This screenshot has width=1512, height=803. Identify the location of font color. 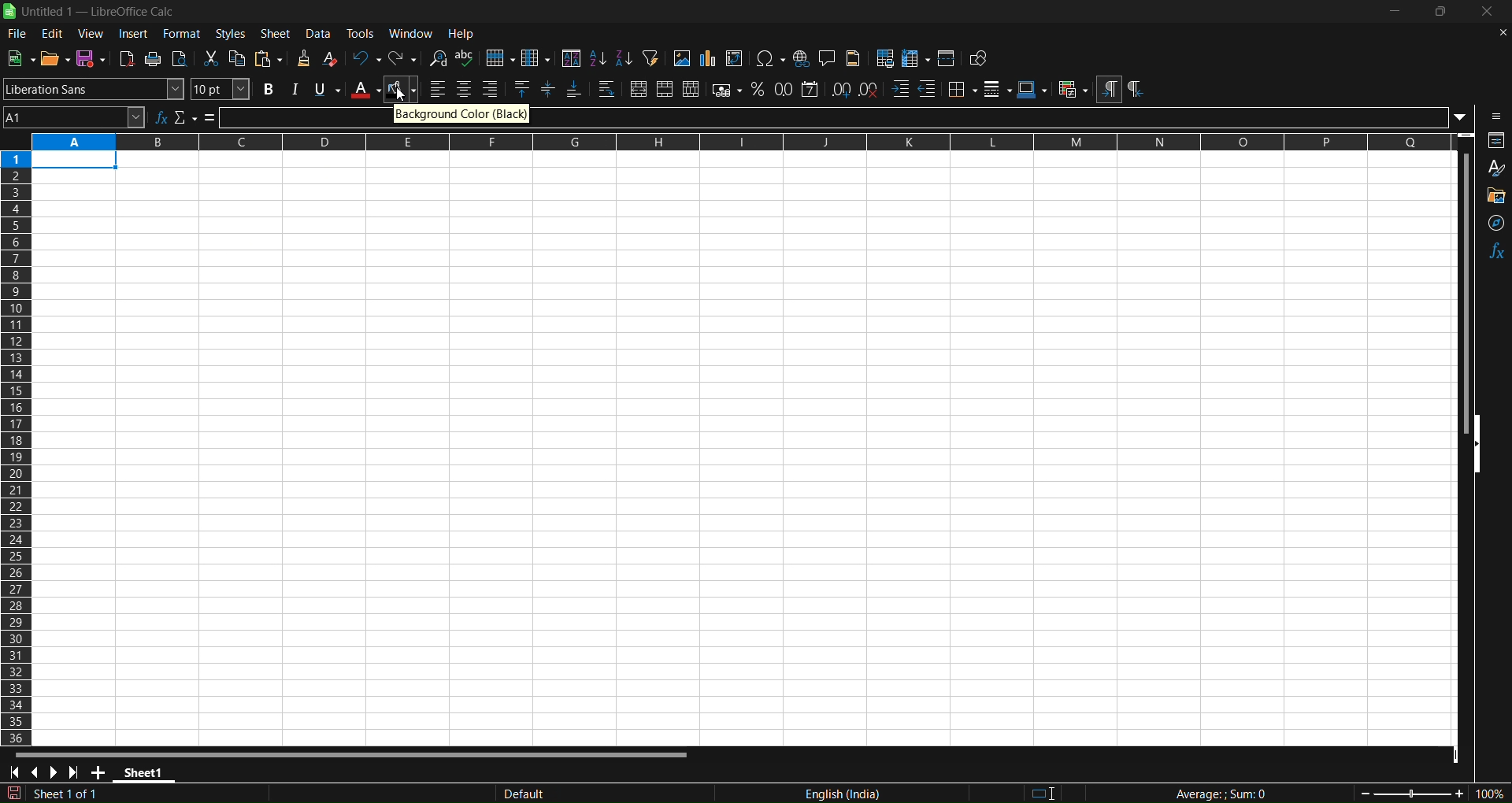
(365, 90).